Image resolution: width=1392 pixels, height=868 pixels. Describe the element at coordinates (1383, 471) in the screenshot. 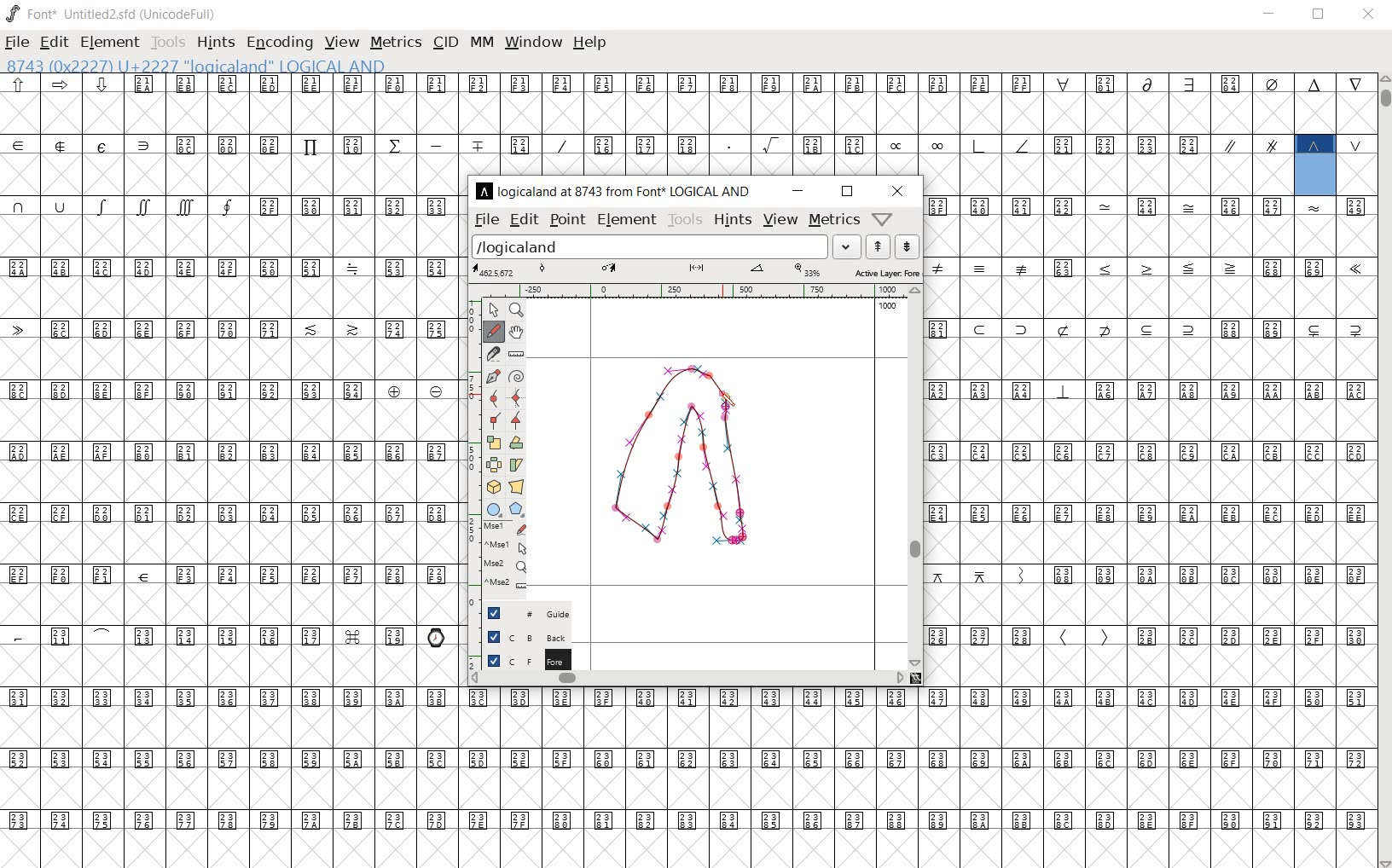

I see `scrollbar` at that location.